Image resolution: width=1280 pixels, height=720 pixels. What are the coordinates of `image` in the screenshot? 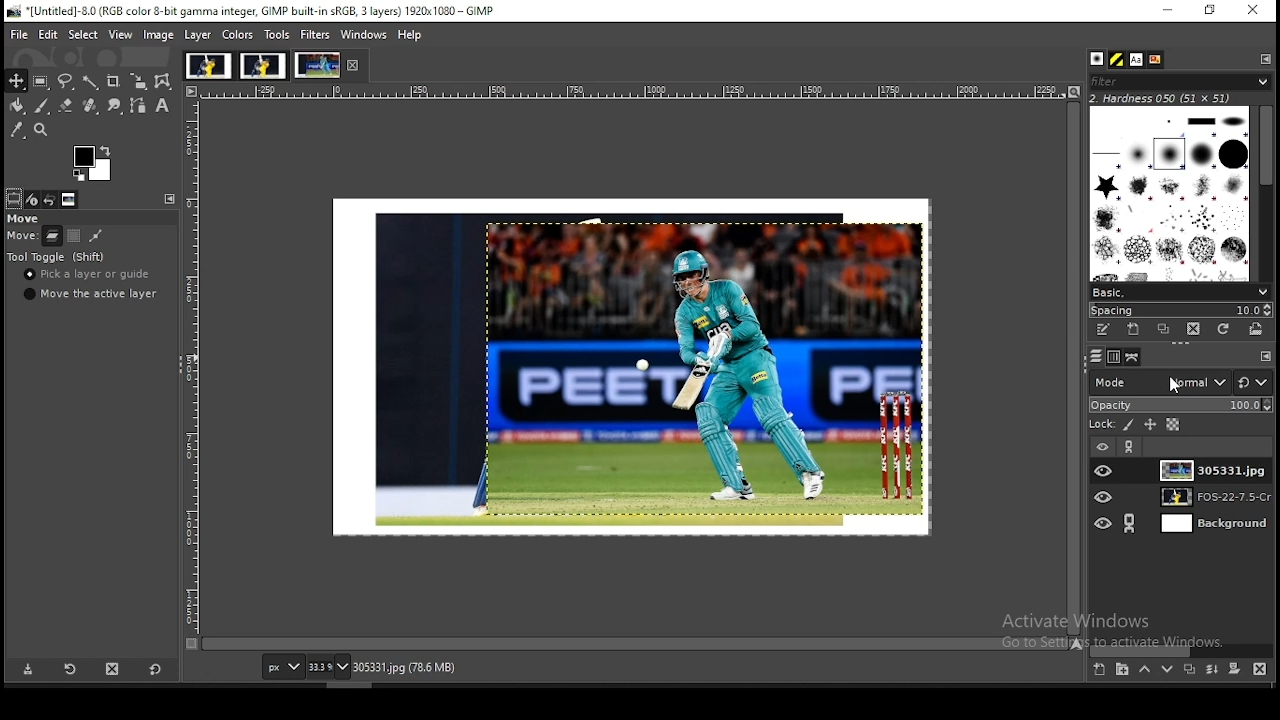 It's located at (262, 64).